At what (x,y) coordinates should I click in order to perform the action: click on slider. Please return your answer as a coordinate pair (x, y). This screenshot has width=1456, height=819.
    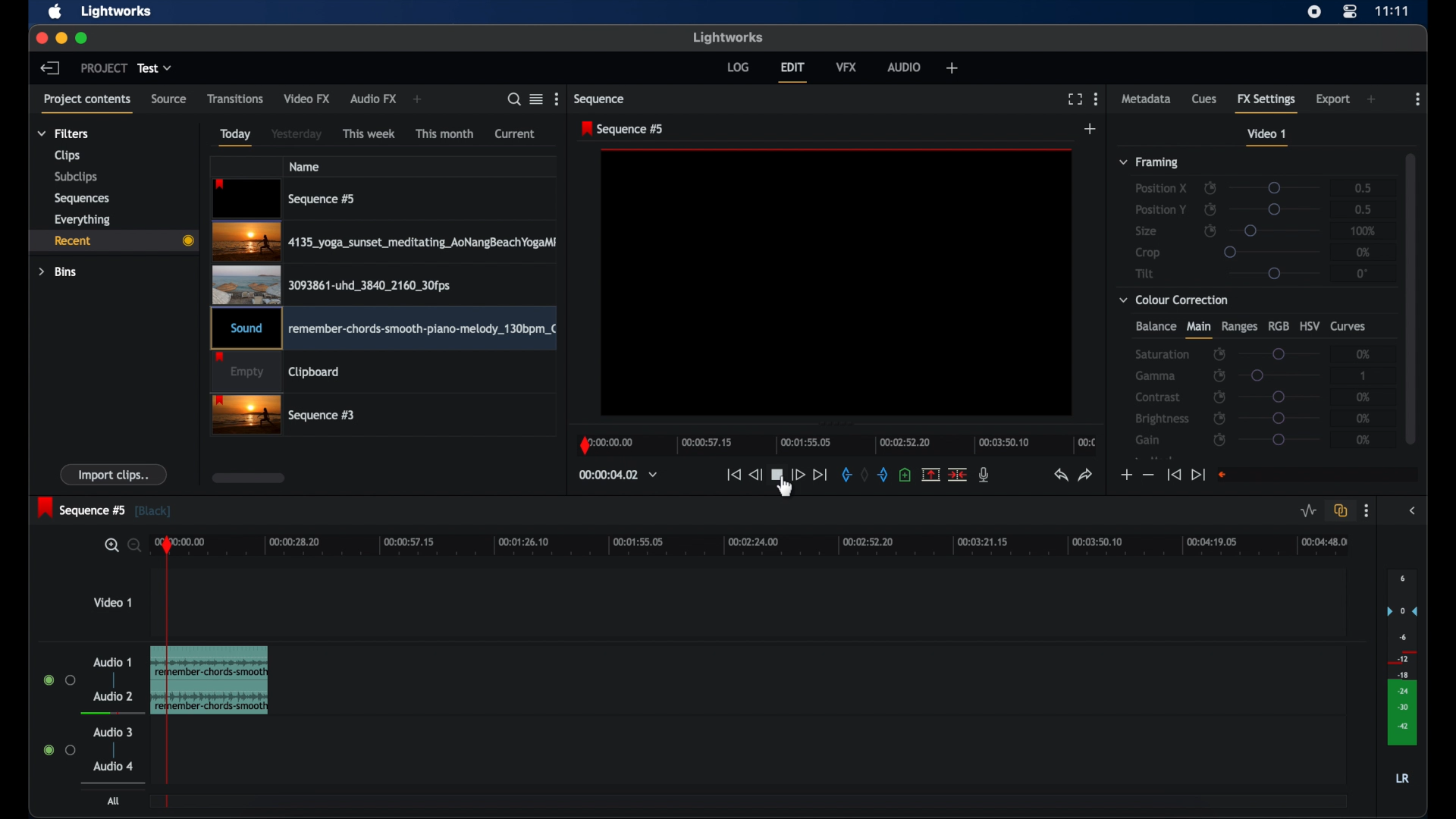
    Looking at the image, I should click on (1280, 375).